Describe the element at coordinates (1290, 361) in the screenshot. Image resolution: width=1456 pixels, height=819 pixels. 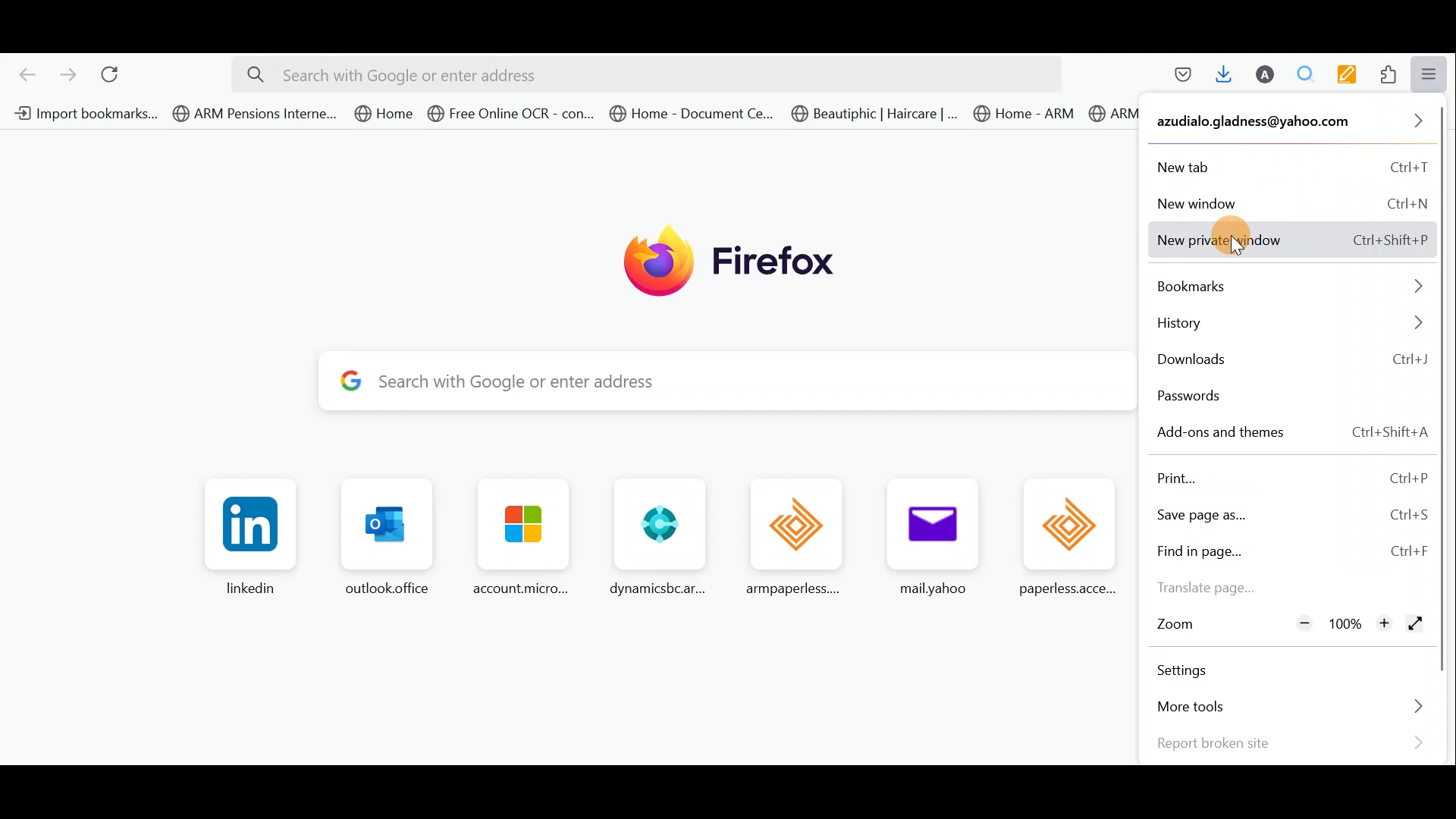
I see `Downloads` at that location.